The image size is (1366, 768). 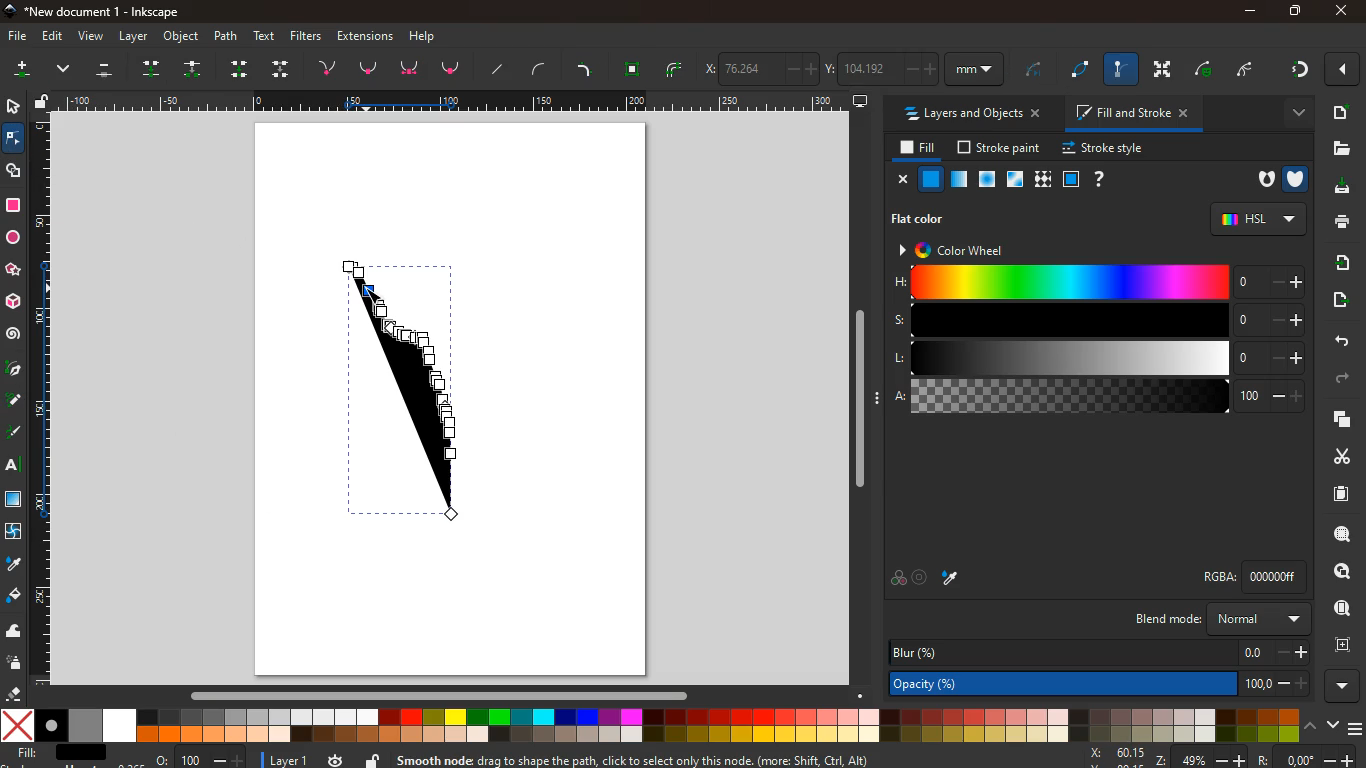 What do you see at coordinates (15, 532) in the screenshot?
I see `twist` at bounding box center [15, 532].